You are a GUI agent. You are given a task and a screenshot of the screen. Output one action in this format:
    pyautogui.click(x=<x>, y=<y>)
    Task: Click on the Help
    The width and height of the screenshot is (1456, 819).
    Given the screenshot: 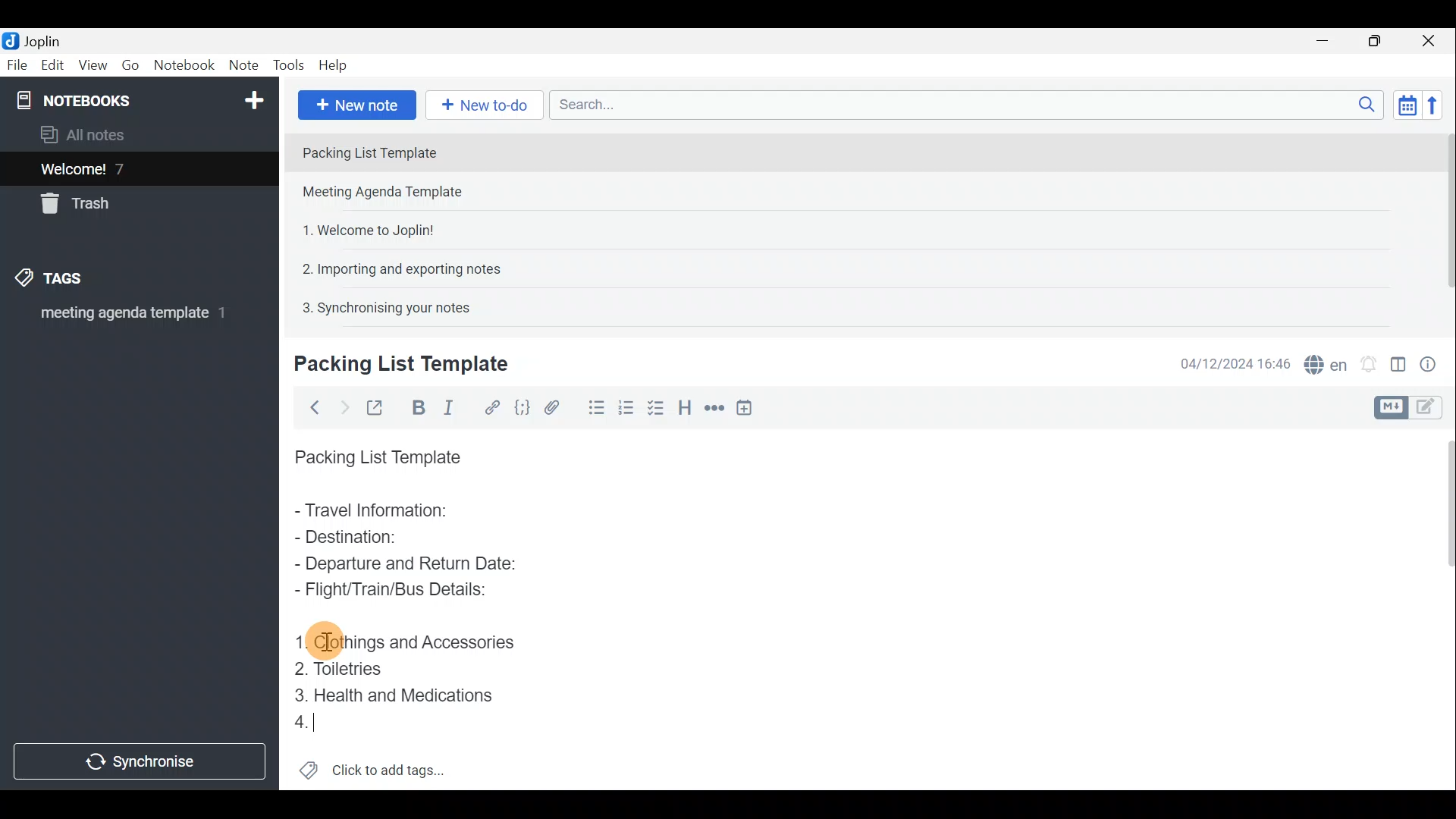 What is the action you would take?
    pyautogui.click(x=335, y=67)
    